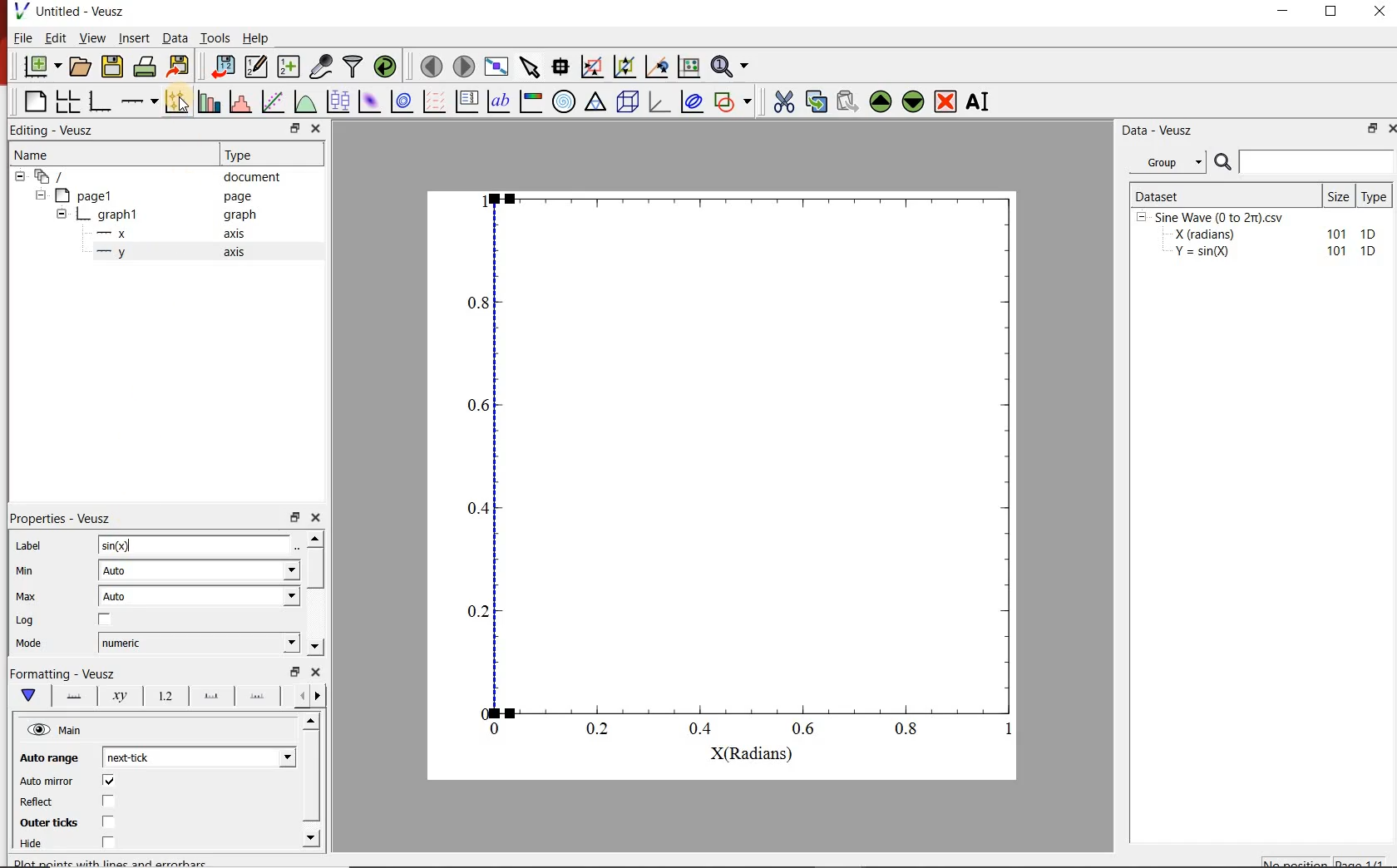  I want to click on axis, so click(235, 233).